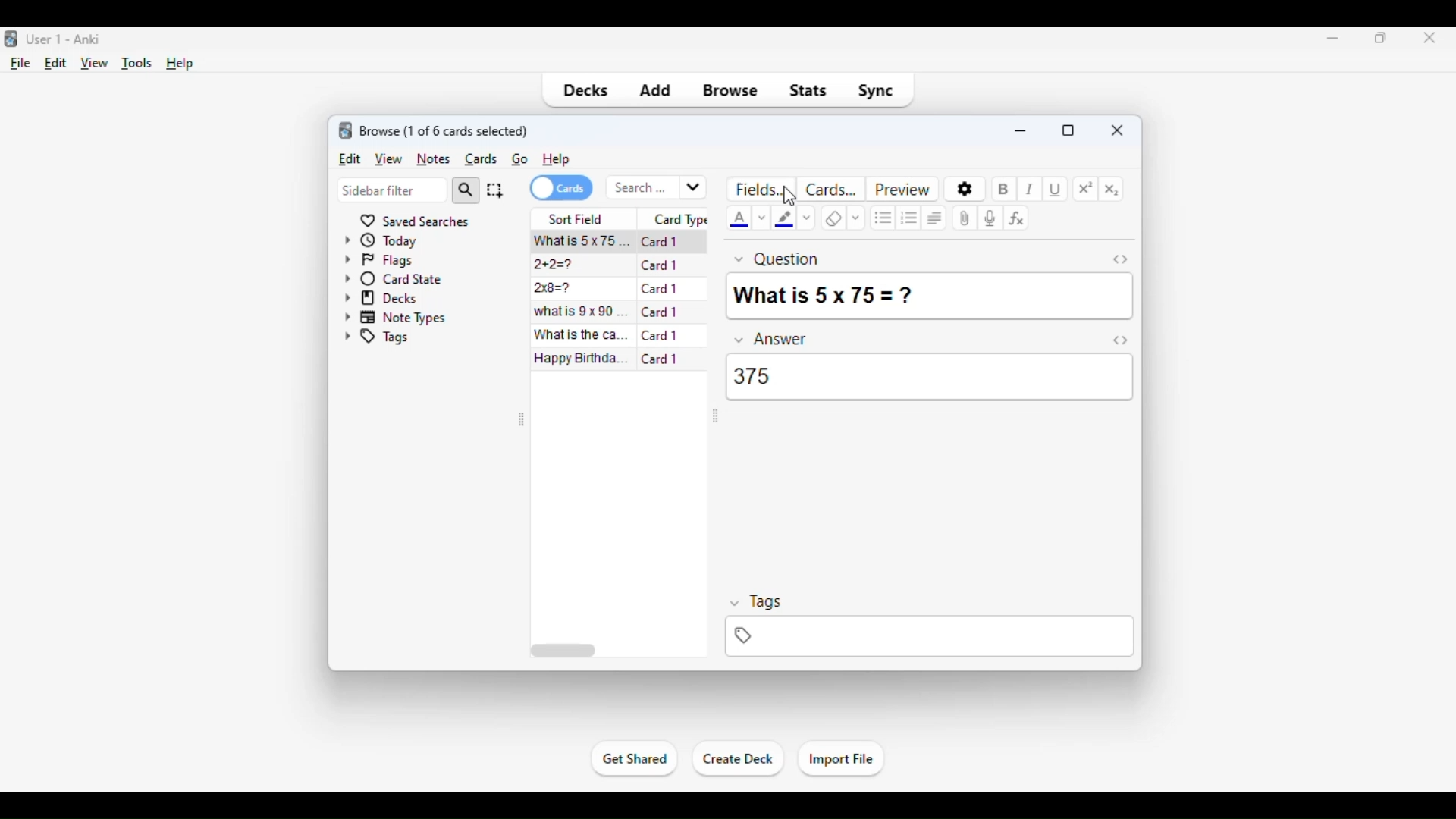 The image size is (1456, 819). What do you see at coordinates (1118, 129) in the screenshot?
I see `close` at bounding box center [1118, 129].